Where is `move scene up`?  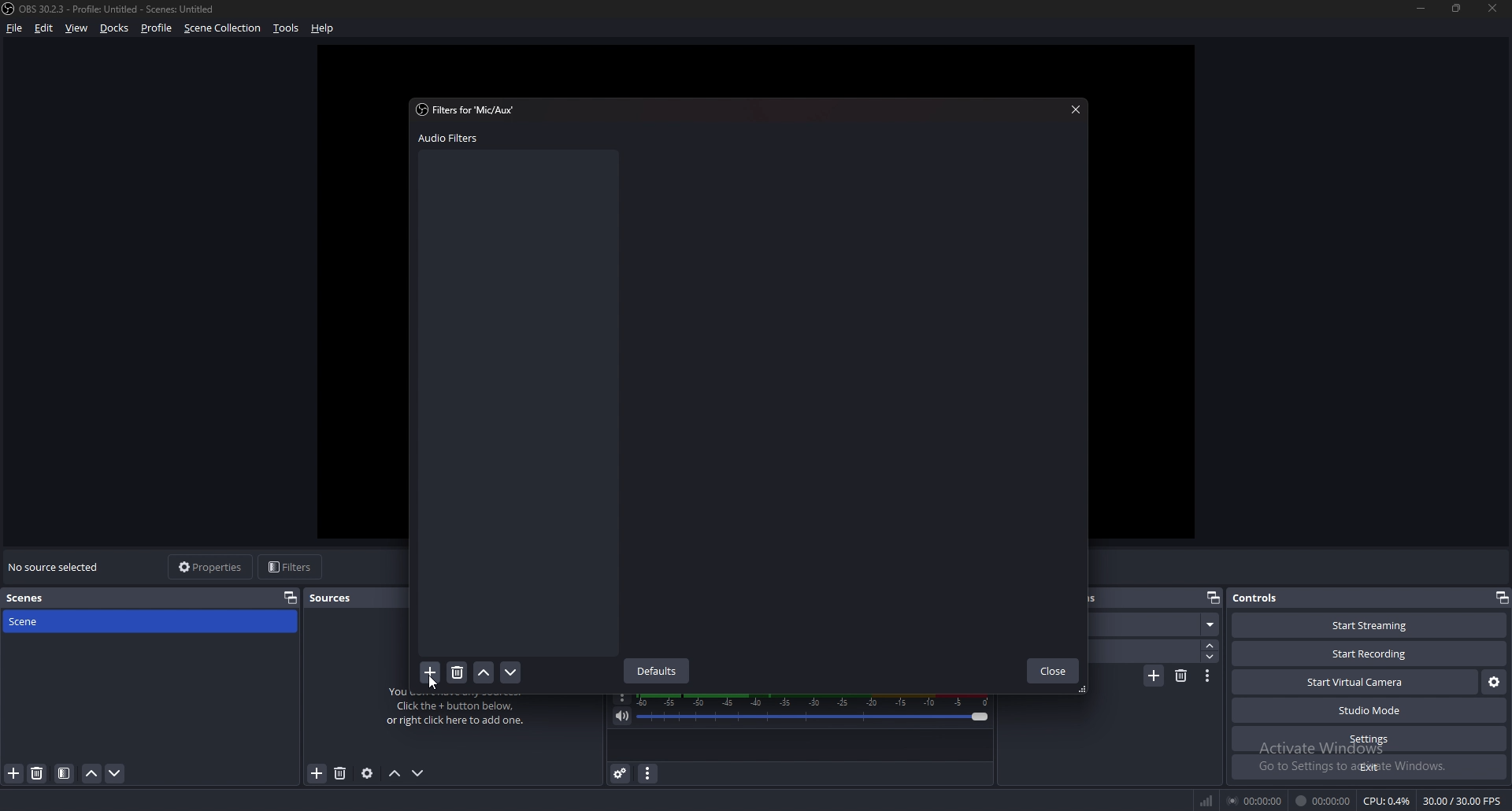
move scene up is located at coordinates (91, 774).